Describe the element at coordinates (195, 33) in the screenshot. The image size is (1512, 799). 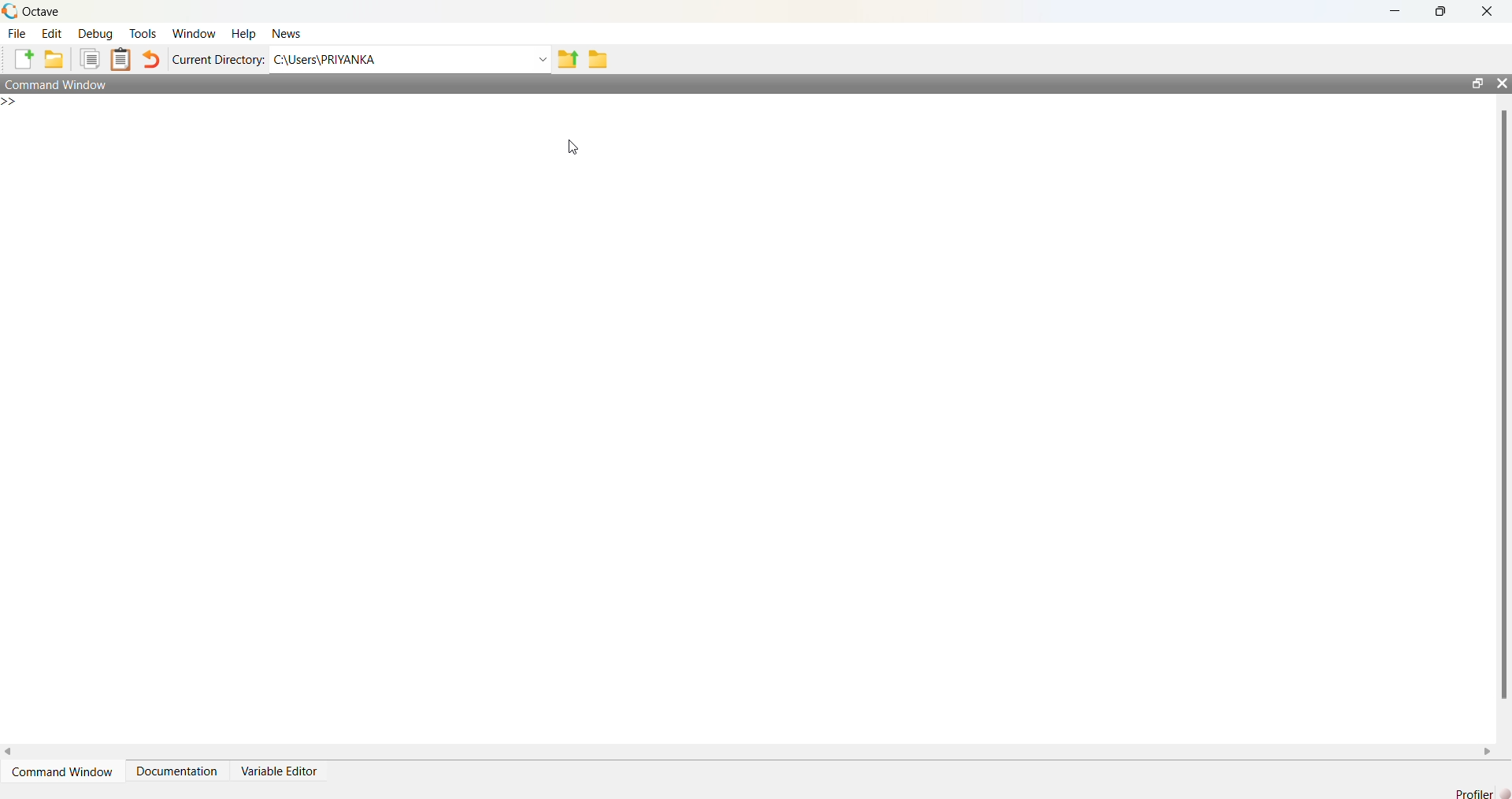
I see `Window` at that location.